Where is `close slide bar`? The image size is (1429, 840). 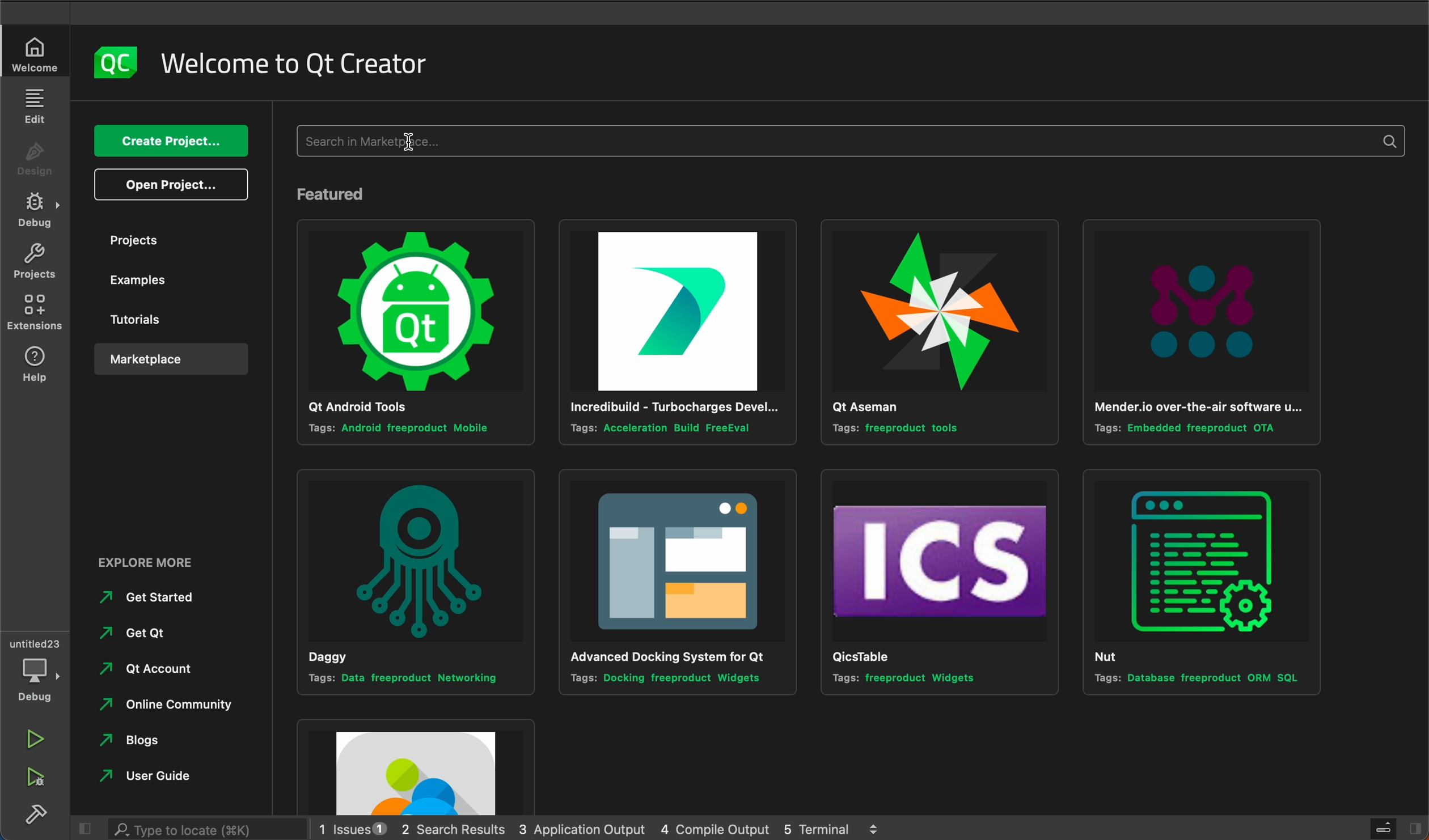
close slide bar is located at coordinates (82, 828).